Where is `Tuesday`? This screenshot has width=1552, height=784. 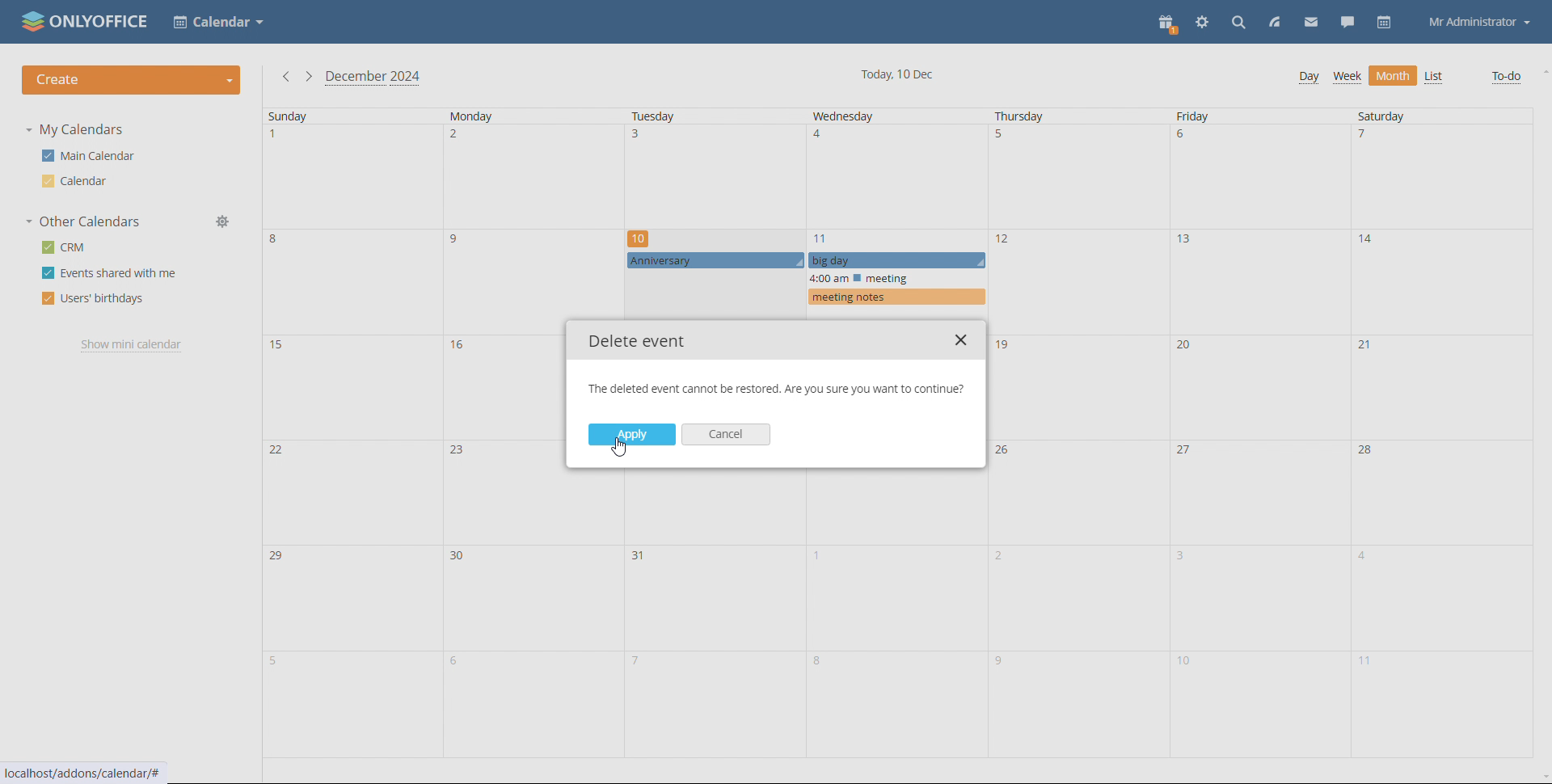 Tuesday is located at coordinates (717, 615).